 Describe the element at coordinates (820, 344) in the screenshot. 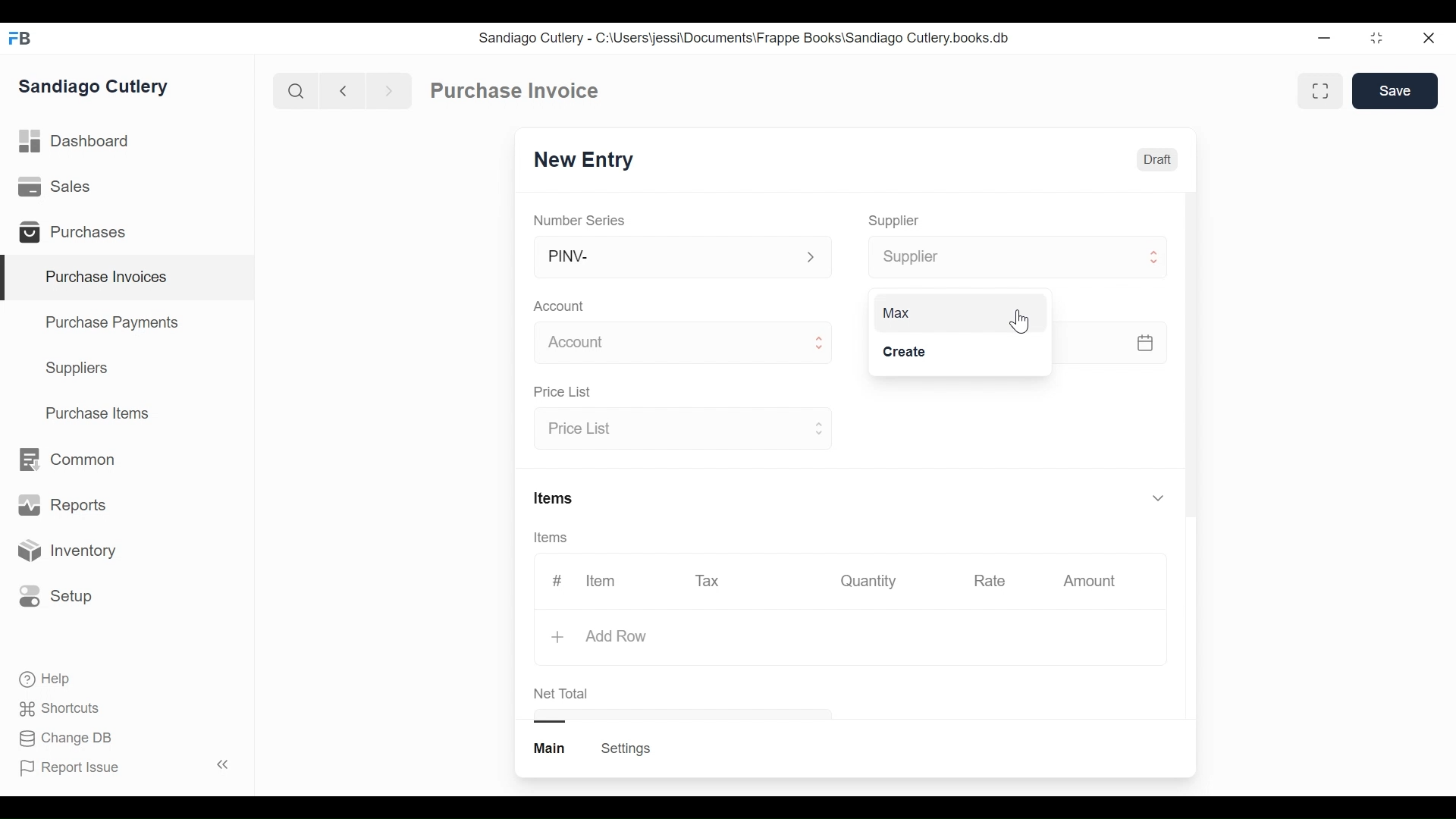

I see `Expand` at that location.